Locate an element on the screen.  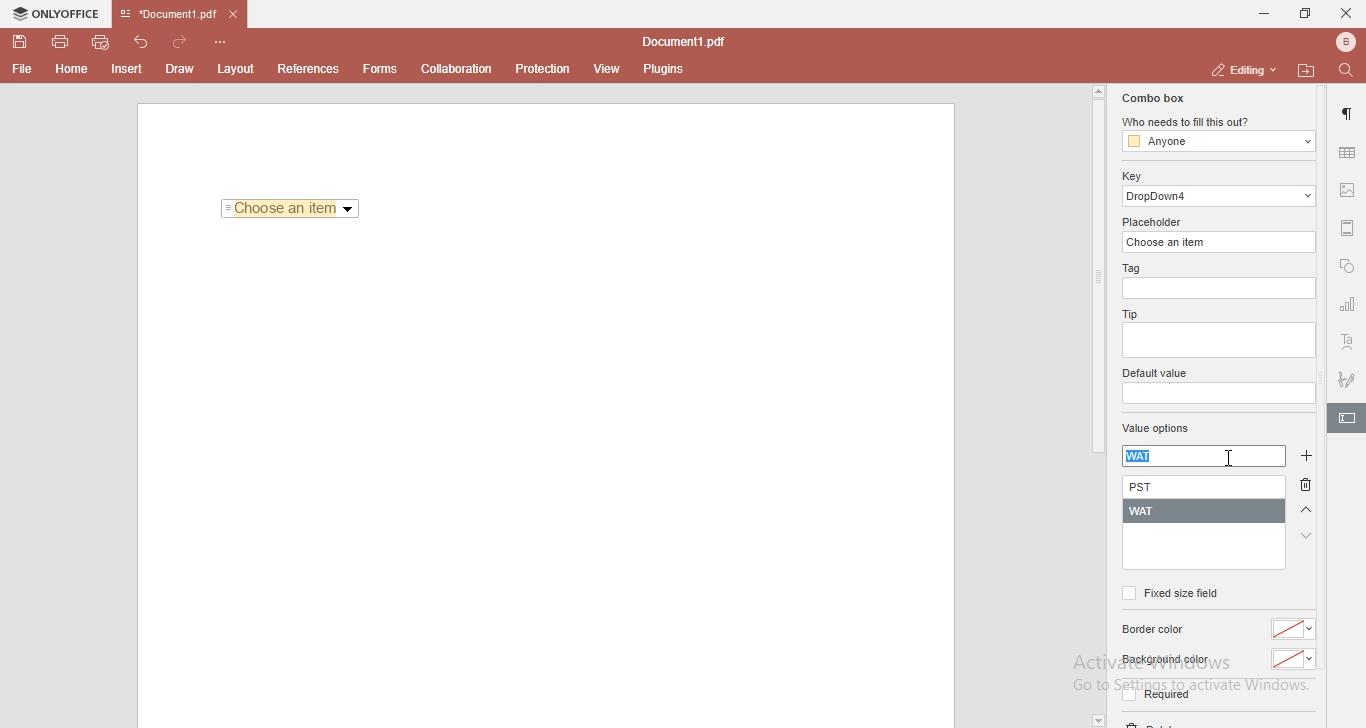
border color is located at coordinates (1156, 630).